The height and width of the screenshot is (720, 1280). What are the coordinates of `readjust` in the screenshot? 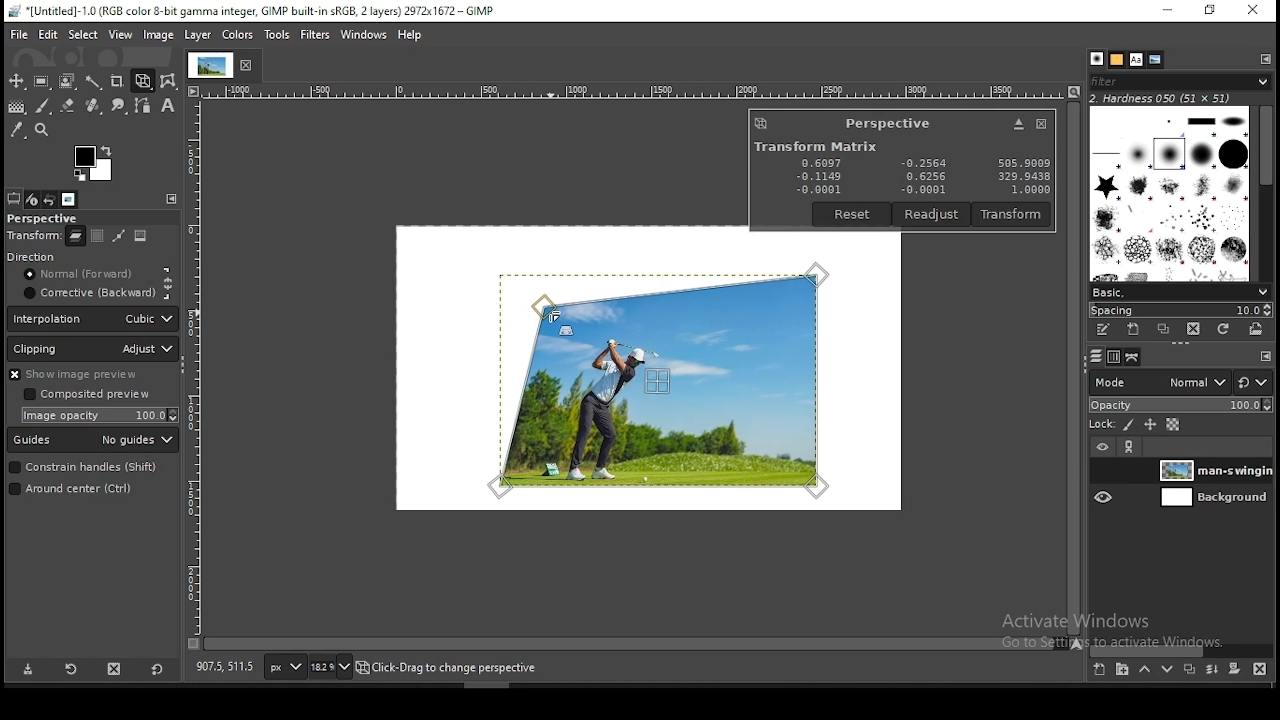 It's located at (933, 214).